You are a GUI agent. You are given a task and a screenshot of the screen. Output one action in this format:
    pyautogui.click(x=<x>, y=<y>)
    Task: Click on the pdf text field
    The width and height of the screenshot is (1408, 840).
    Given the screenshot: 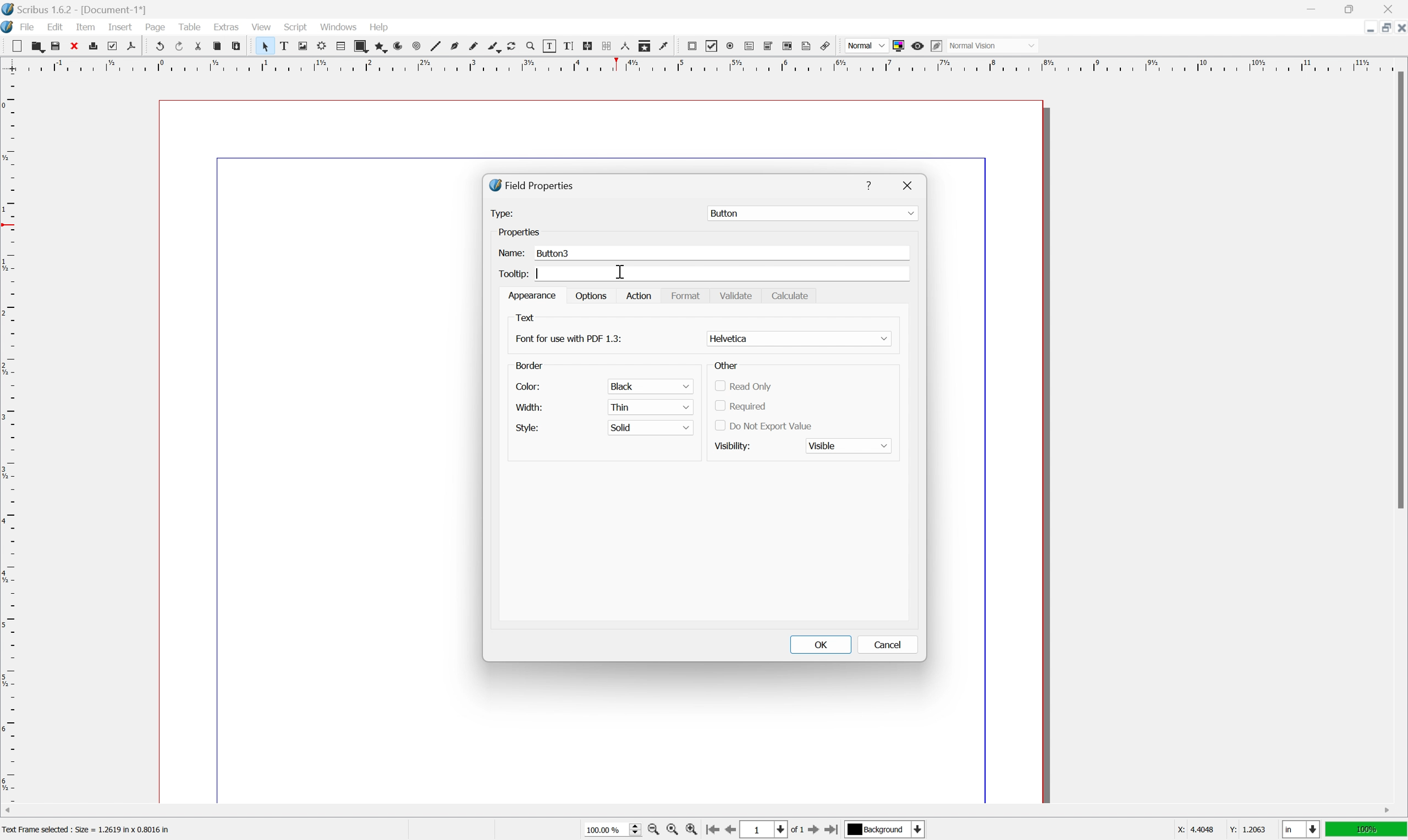 What is the action you would take?
    pyautogui.click(x=749, y=47)
    